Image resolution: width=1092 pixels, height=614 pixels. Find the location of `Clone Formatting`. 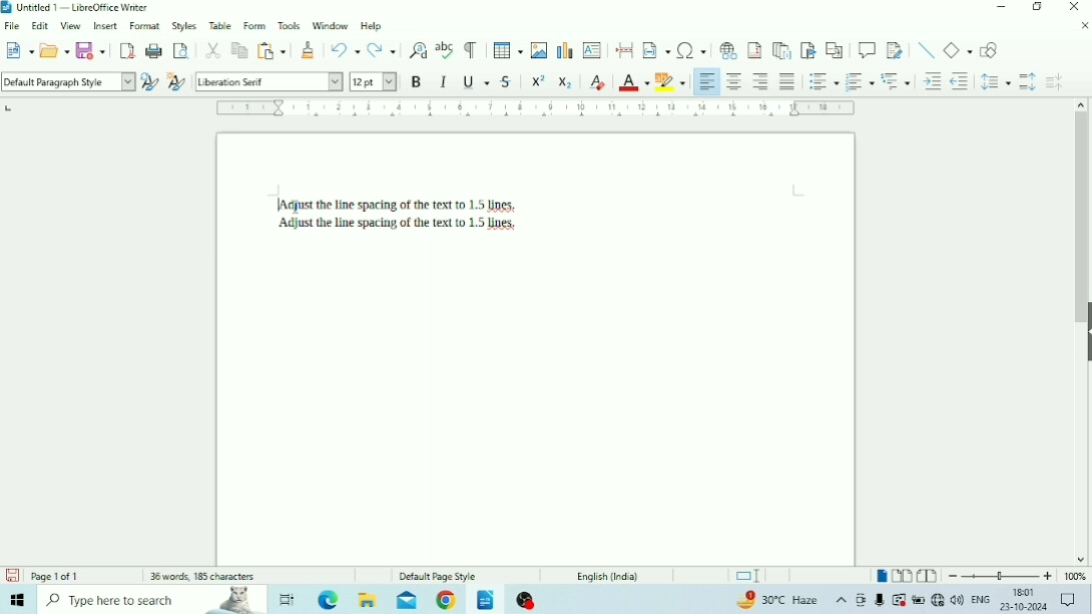

Clone Formatting is located at coordinates (308, 50).